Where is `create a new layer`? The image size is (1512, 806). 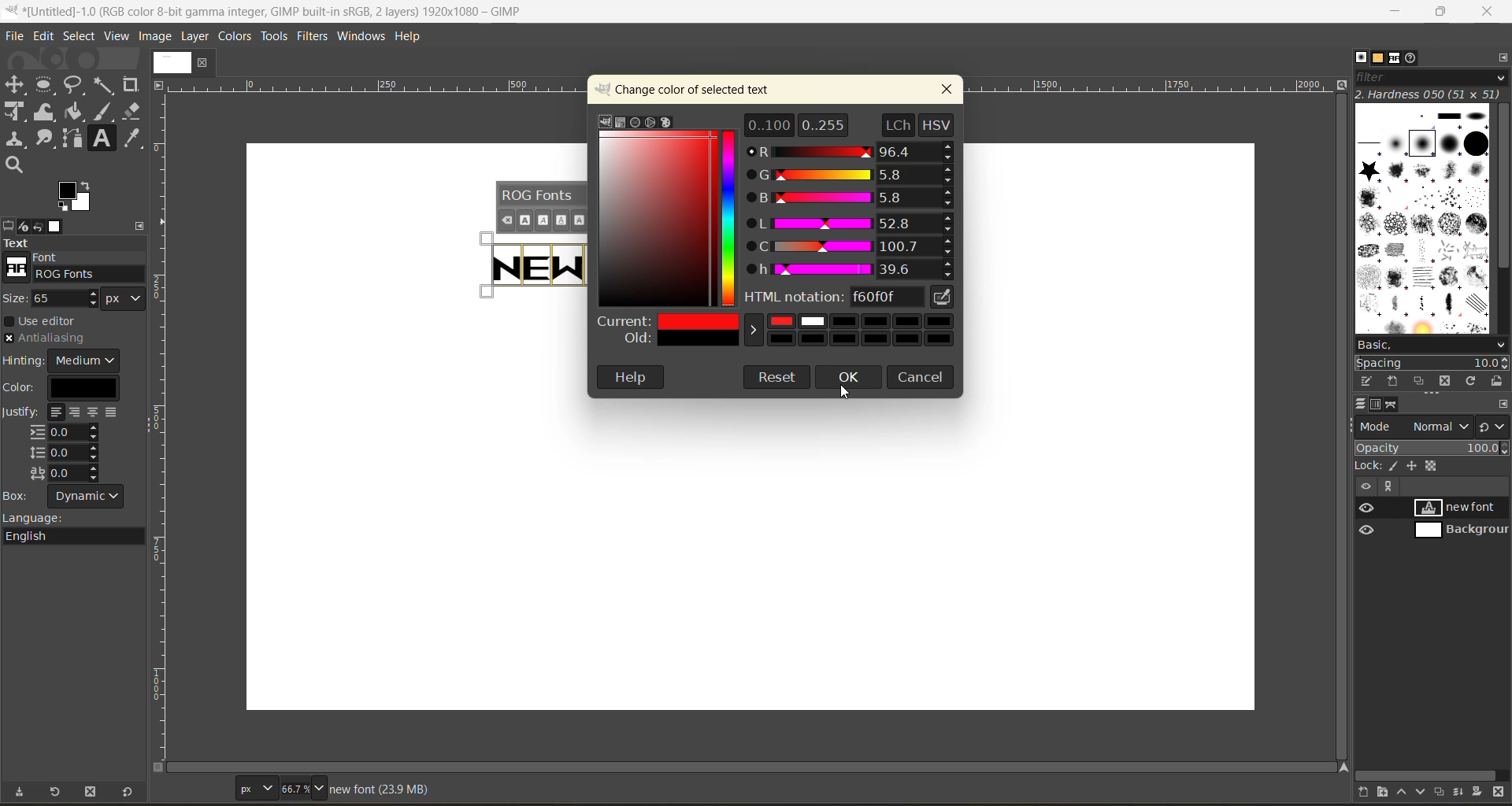
create a new layer is located at coordinates (1366, 791).